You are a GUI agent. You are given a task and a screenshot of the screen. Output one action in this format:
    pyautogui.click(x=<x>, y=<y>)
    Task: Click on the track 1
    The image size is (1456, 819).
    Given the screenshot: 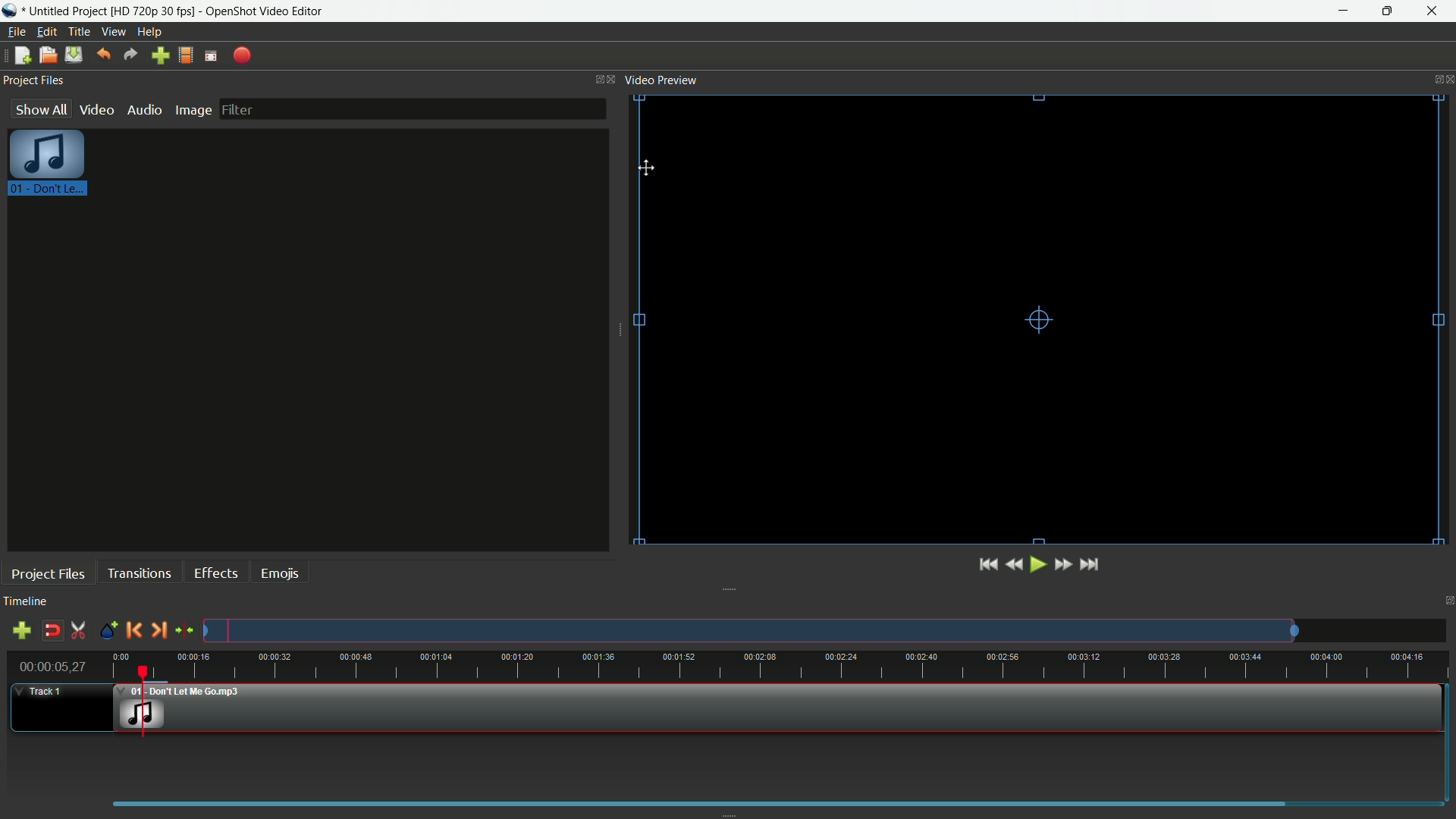 What is the action you would take?
    pyautogui.click(x=39, y=692)
    